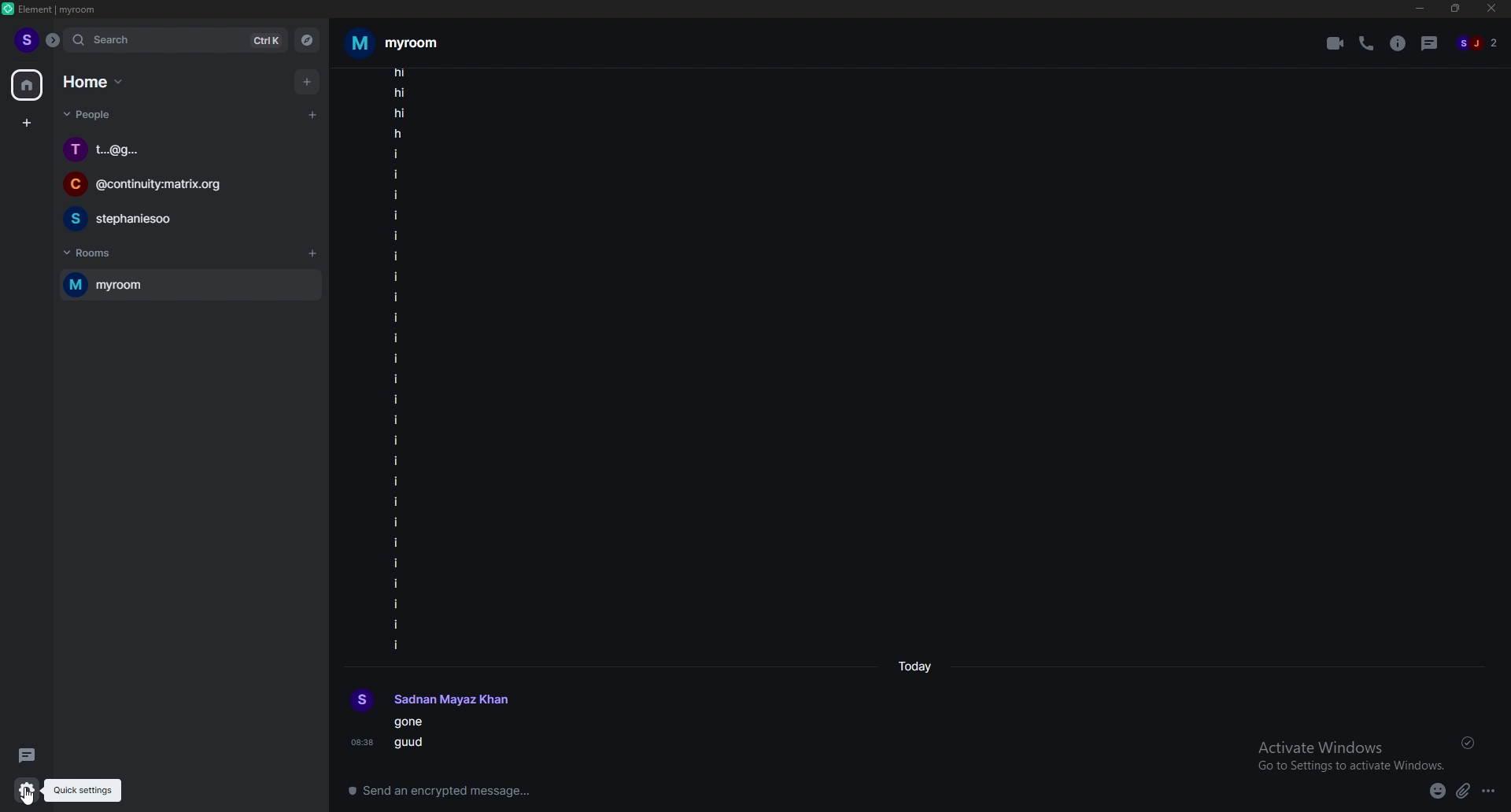  What do you see at coordinates (27, 124) in the screenshot?
I see `create a space` at bounding box center [27, 124].